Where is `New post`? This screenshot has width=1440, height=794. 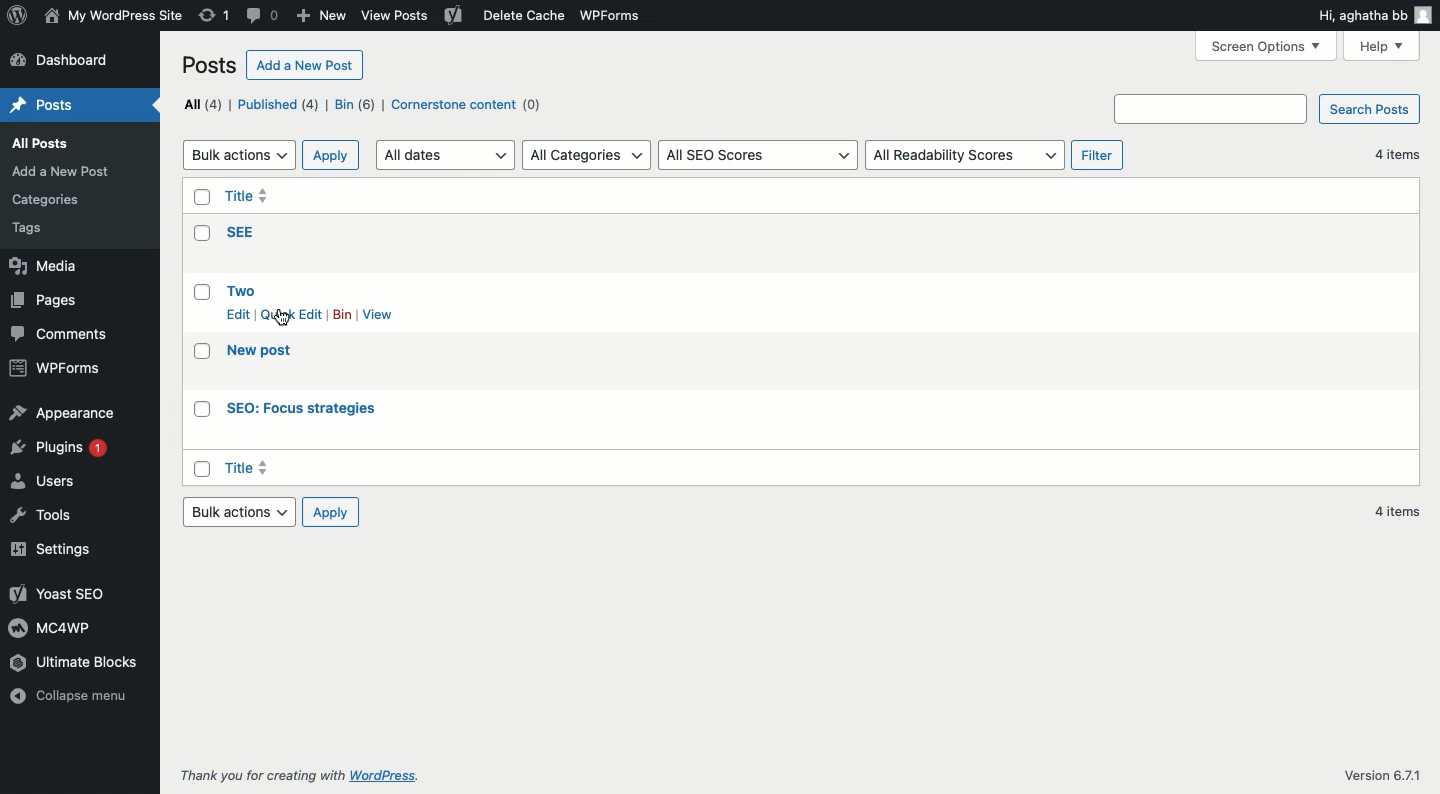
New post is located at coordinates (263, 352).